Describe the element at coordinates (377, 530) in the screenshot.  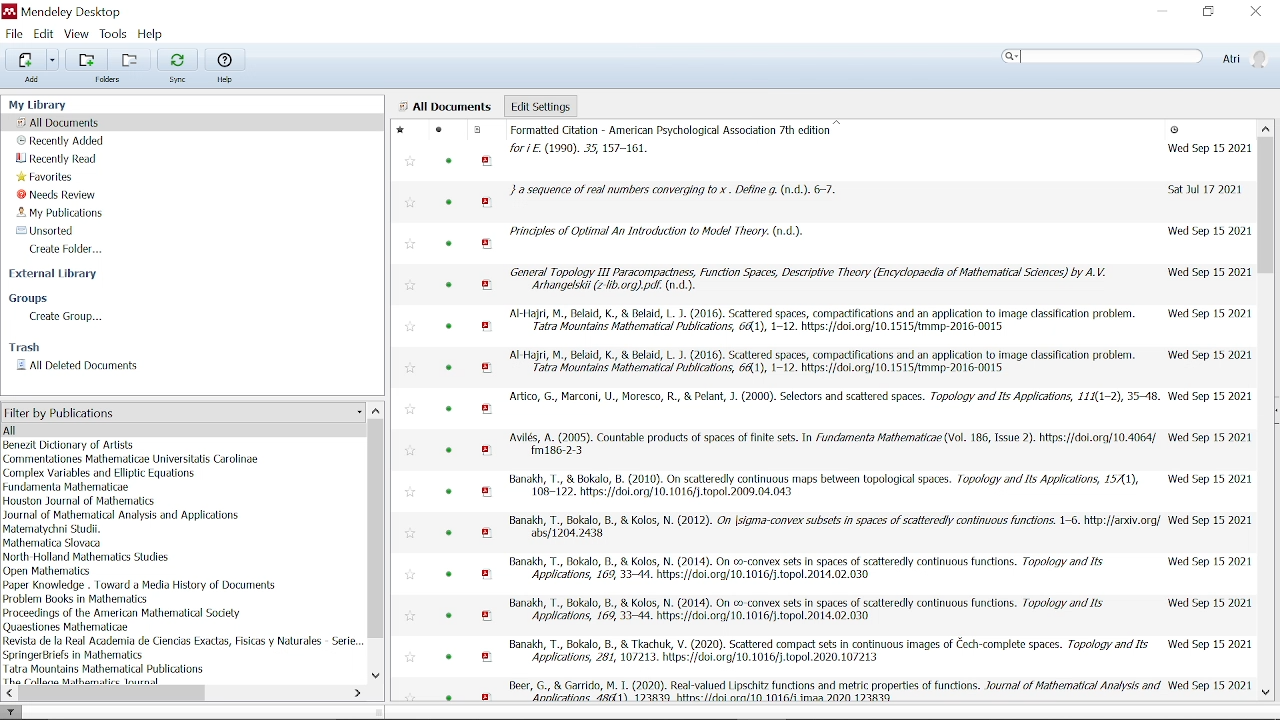
I see `Vertical scrollbar in filter by publication` at that location.